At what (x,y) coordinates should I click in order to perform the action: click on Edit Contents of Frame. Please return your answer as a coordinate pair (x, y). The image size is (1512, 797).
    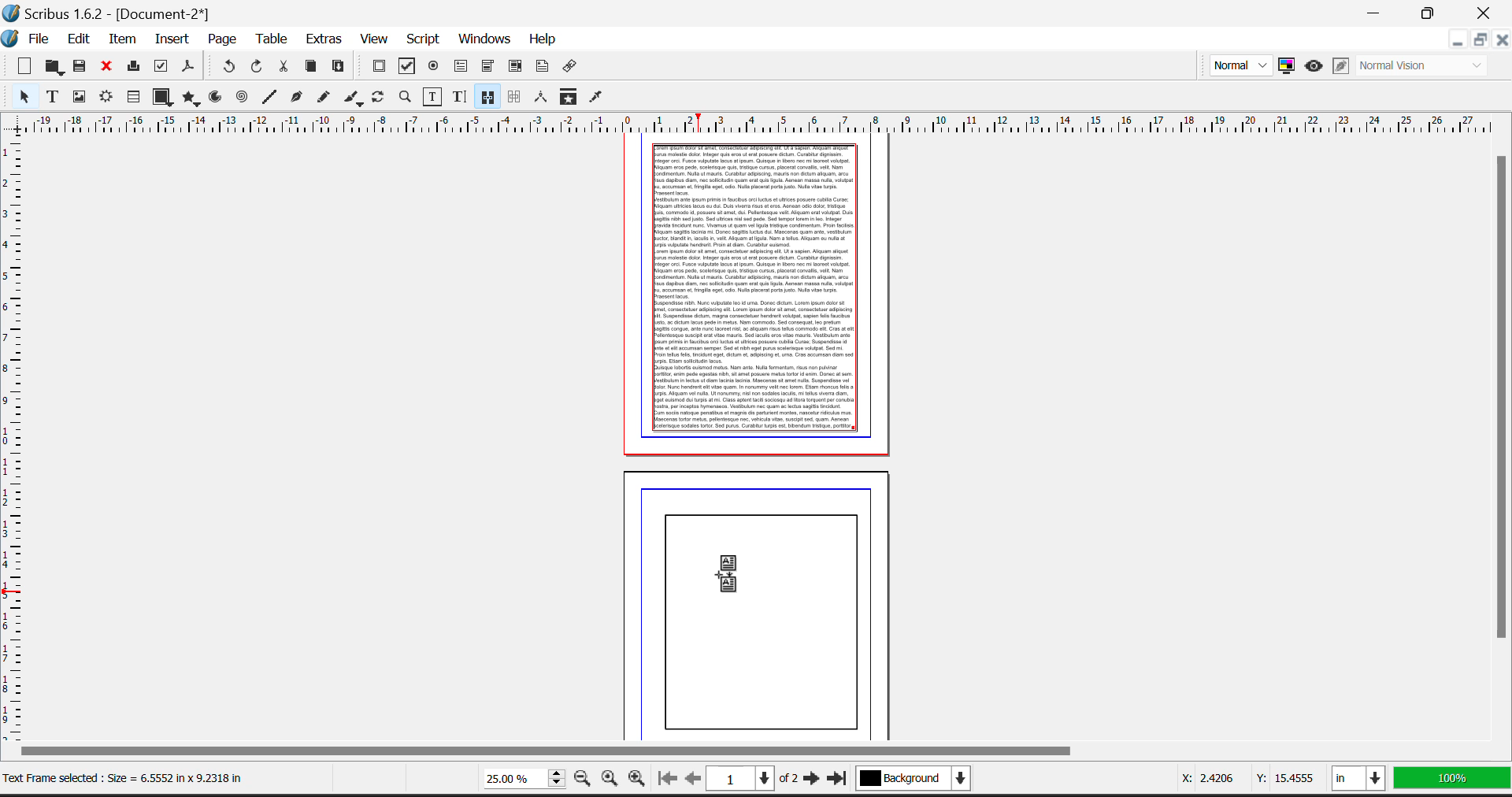
    Looking at the image, I should click on (431, 96).